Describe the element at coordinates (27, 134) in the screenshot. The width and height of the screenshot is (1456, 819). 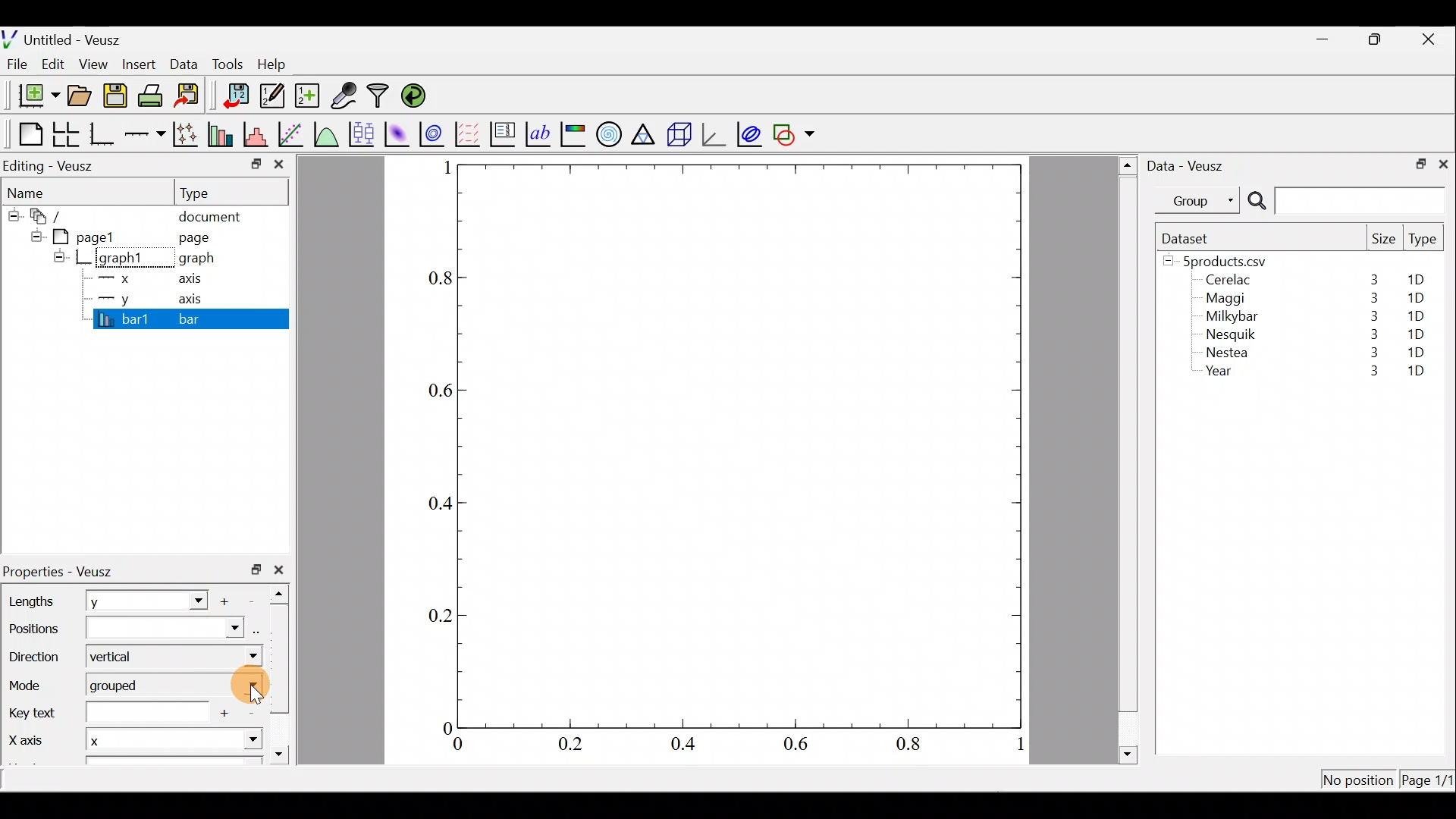
I see `Blank page` at that location.